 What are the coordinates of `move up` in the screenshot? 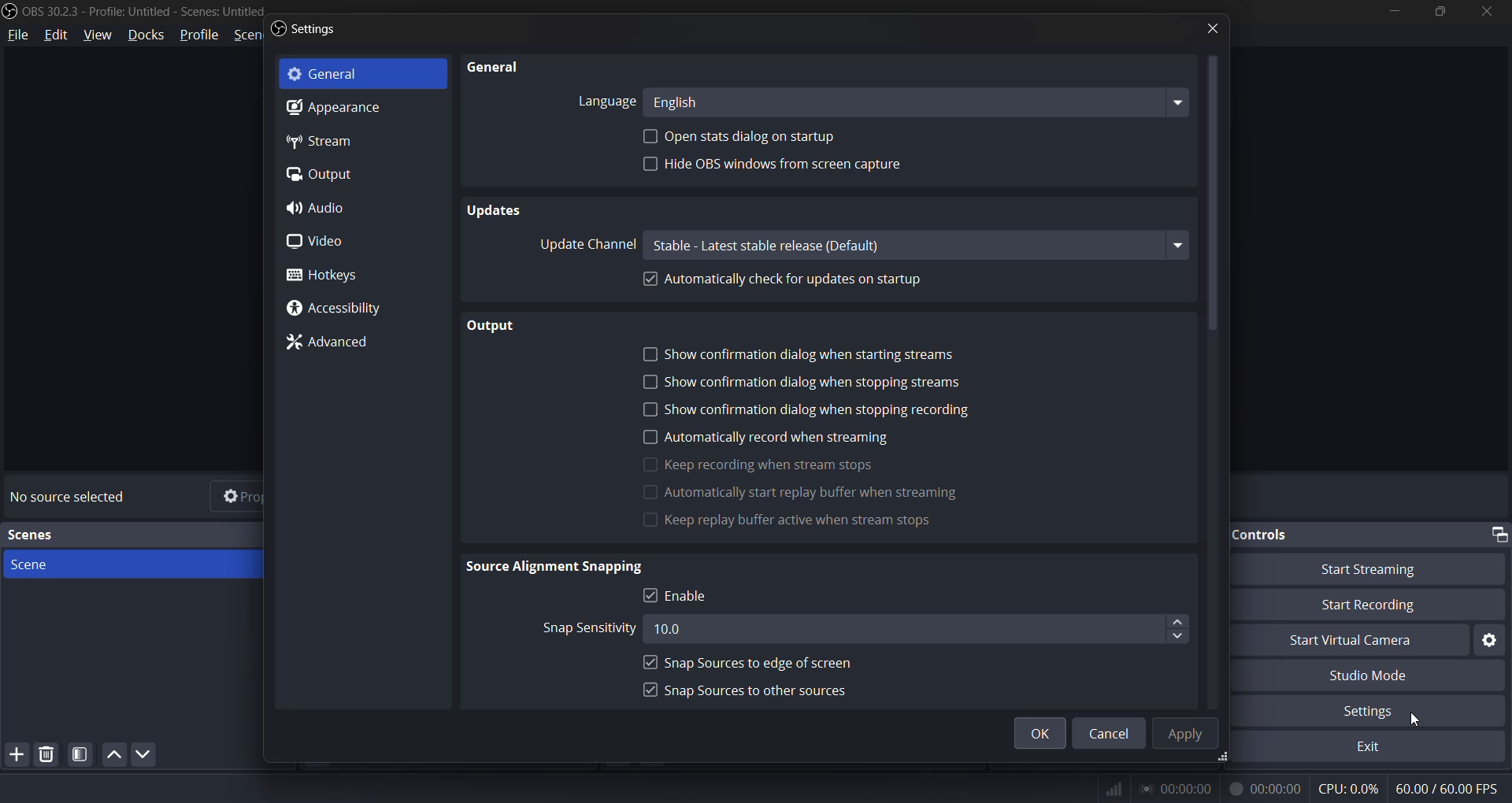 It's located at (113, 756).